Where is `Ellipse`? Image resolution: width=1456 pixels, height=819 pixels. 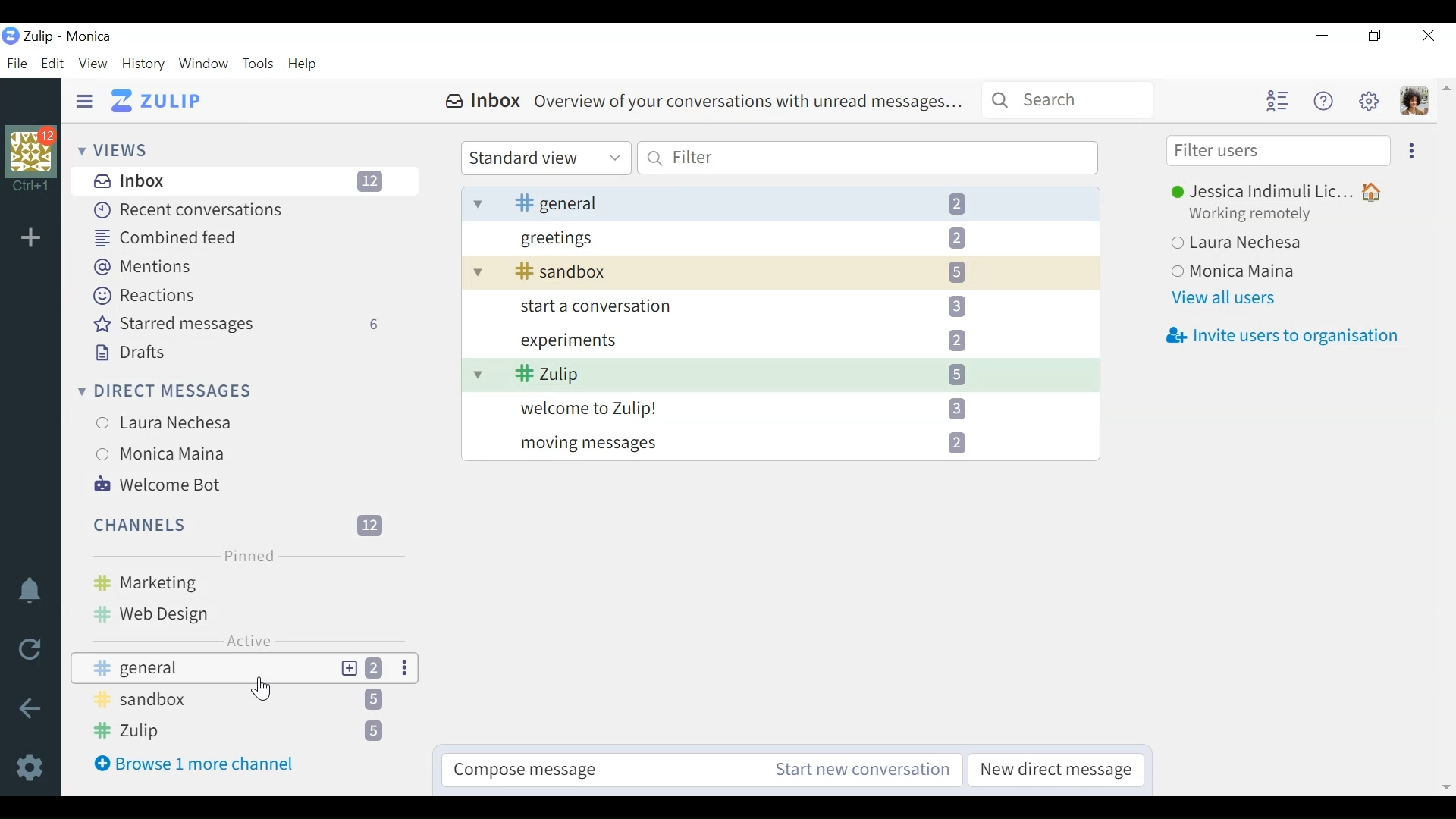 Ellipse is located at coordinates (1412, 149).